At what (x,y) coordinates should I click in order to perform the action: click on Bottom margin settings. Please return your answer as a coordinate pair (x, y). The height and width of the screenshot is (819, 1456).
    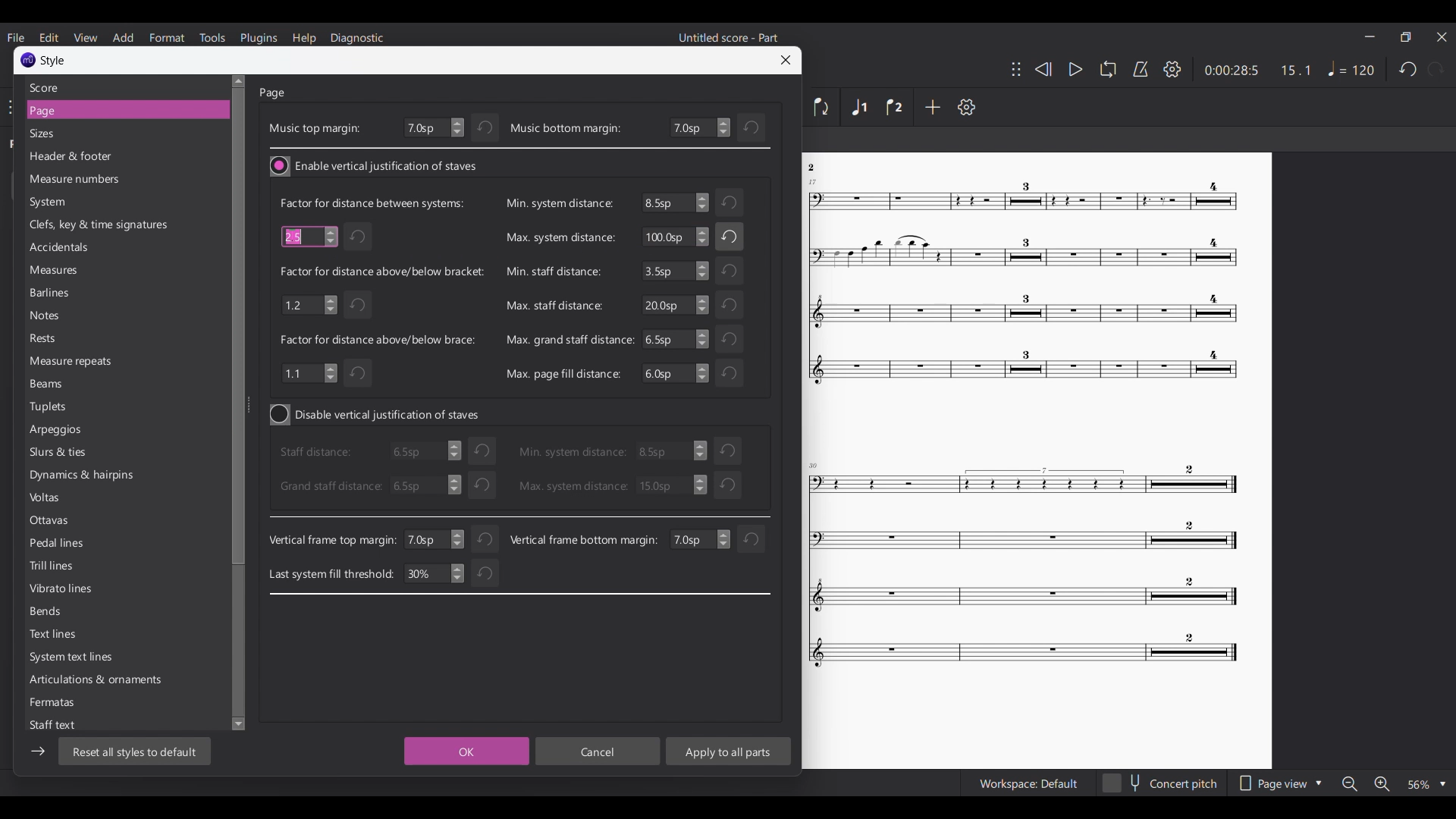
    Looking at the image, I should click on (700, 127).